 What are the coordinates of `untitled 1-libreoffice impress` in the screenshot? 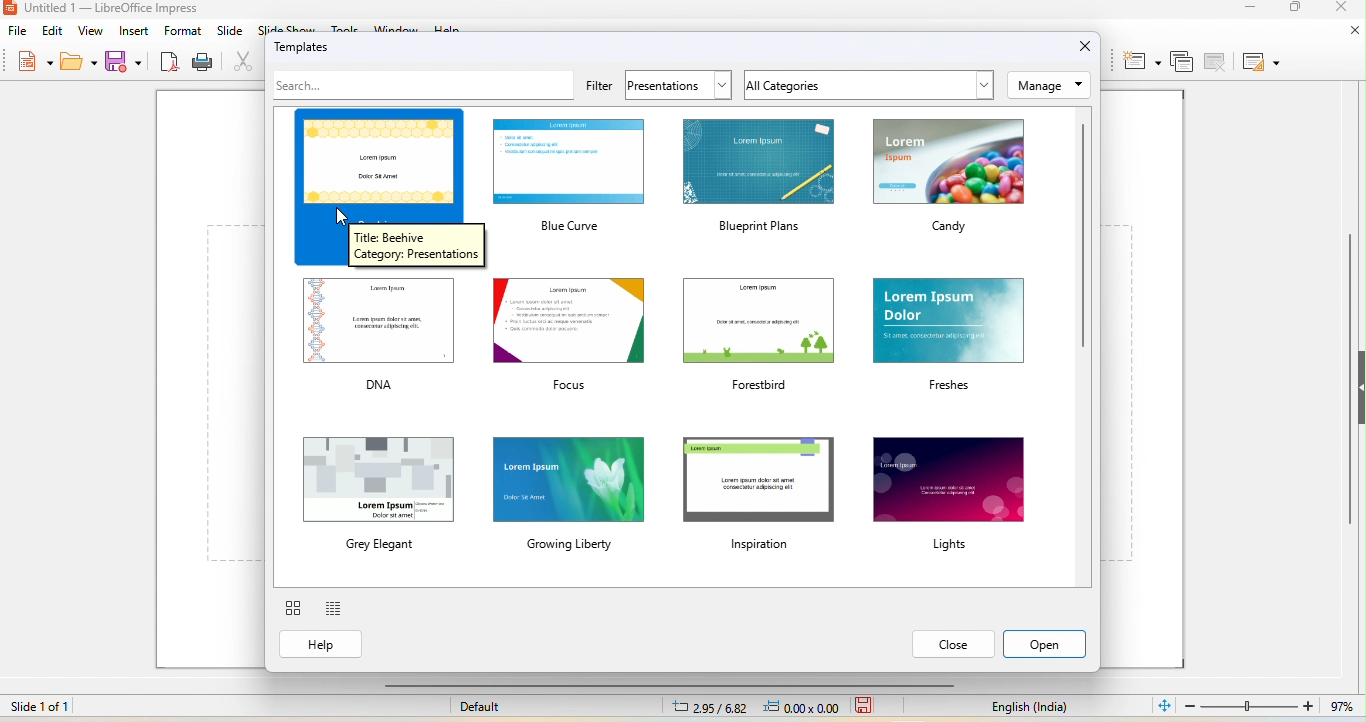 It's located at (127, 8).